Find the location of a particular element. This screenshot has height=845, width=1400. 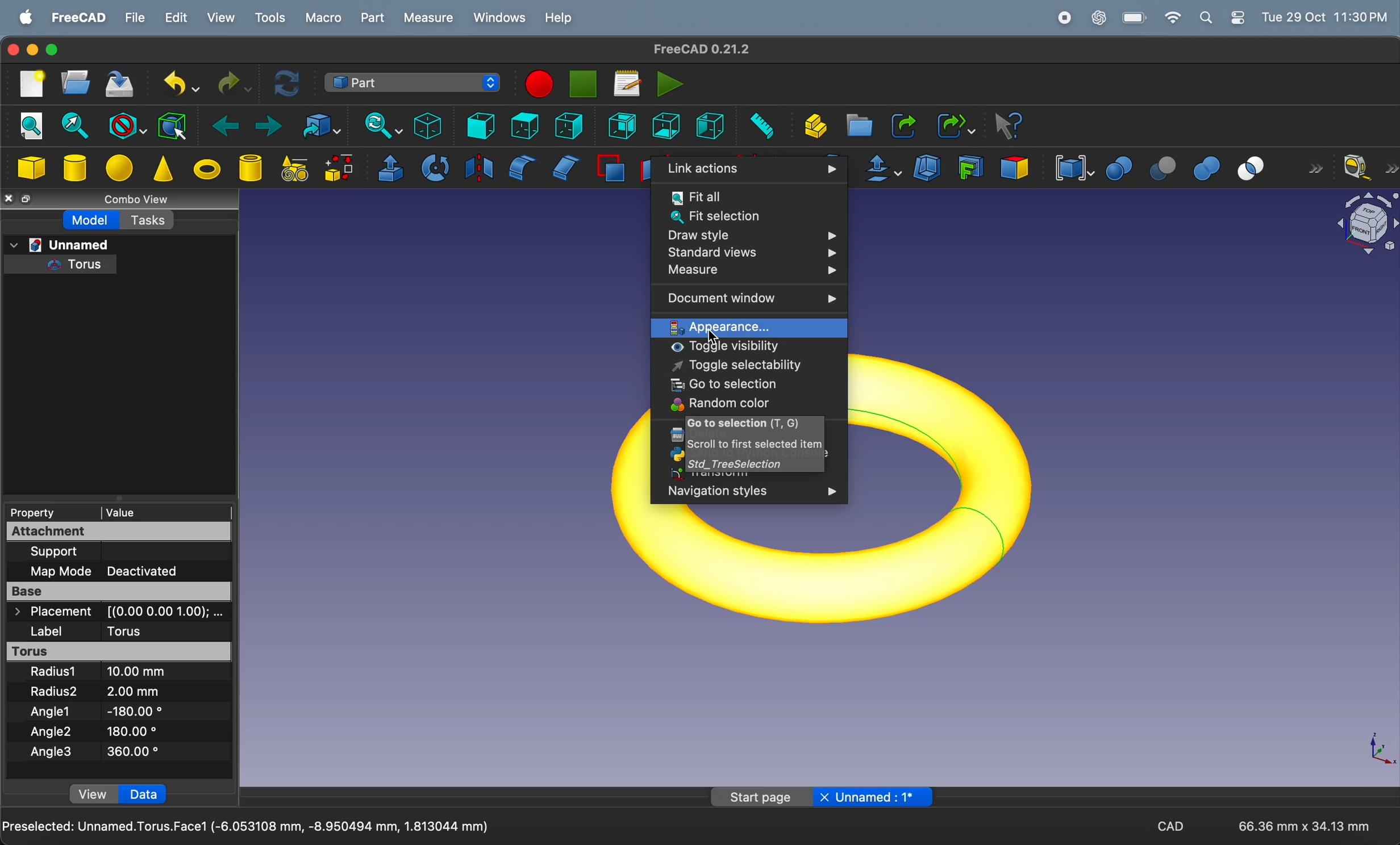

random color is located at coordinates (724, 404).